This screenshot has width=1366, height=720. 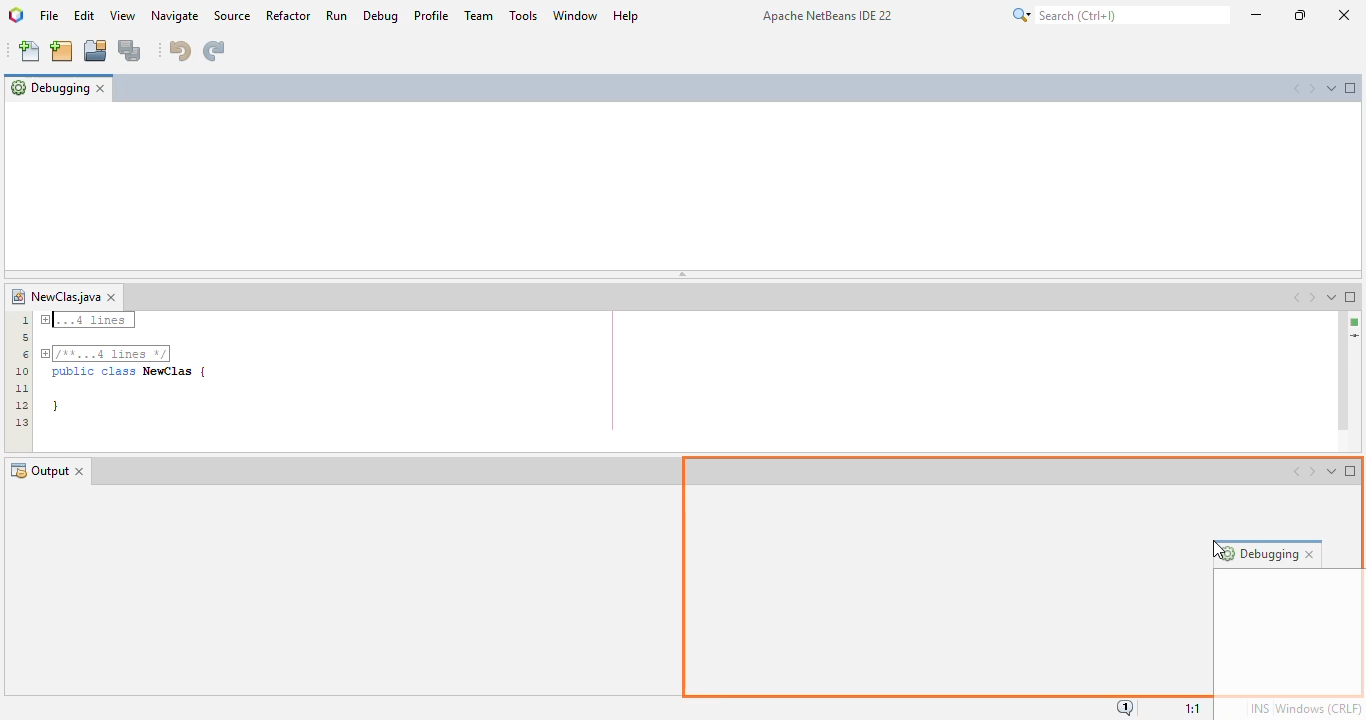 What do you see at coordinates (1351, 88) in the screenshot?
I see `maximize window` at bounding box center [1351, 88].